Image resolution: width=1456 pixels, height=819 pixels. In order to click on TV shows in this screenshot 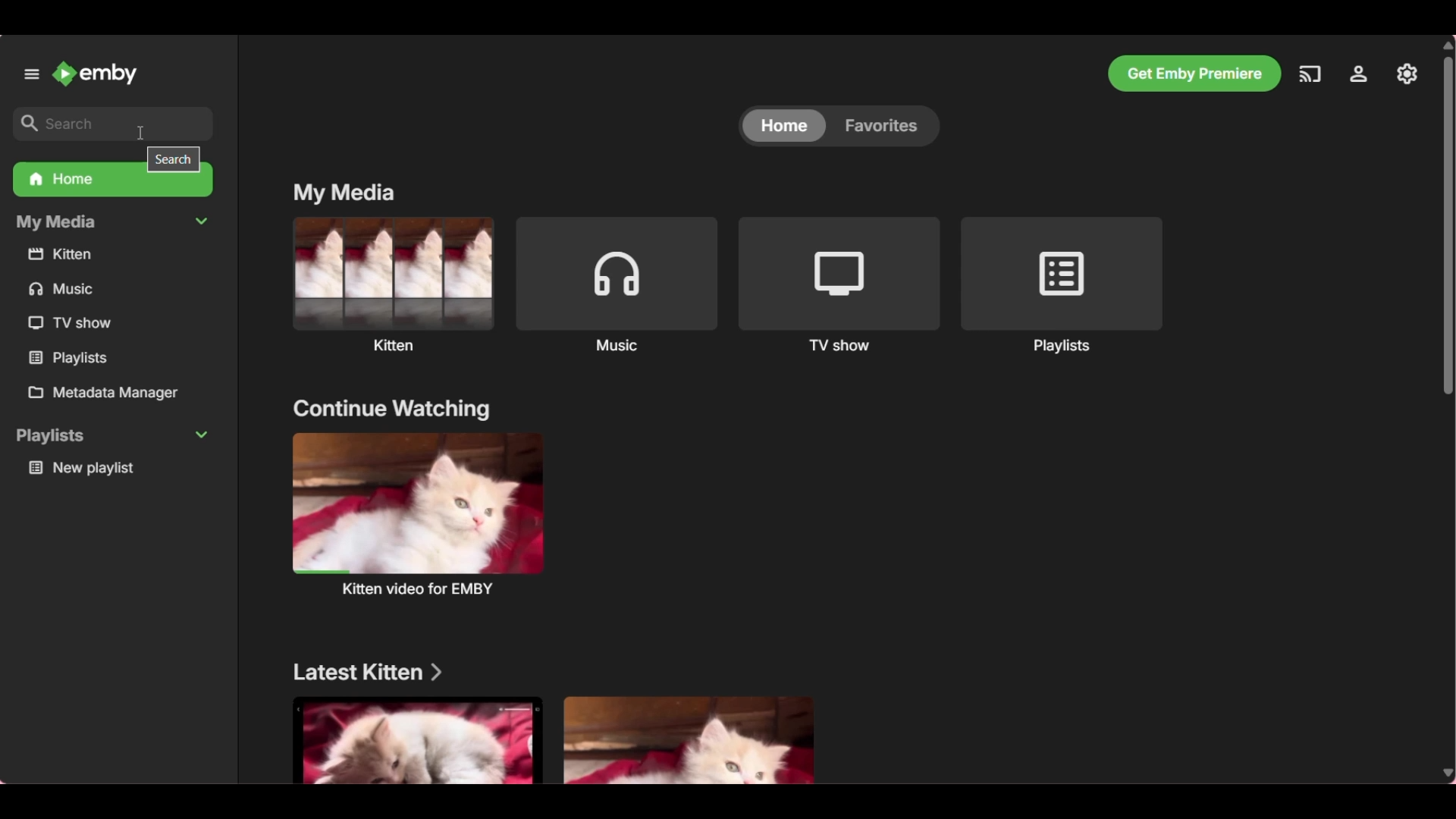, I will do `click(838, 284)`.